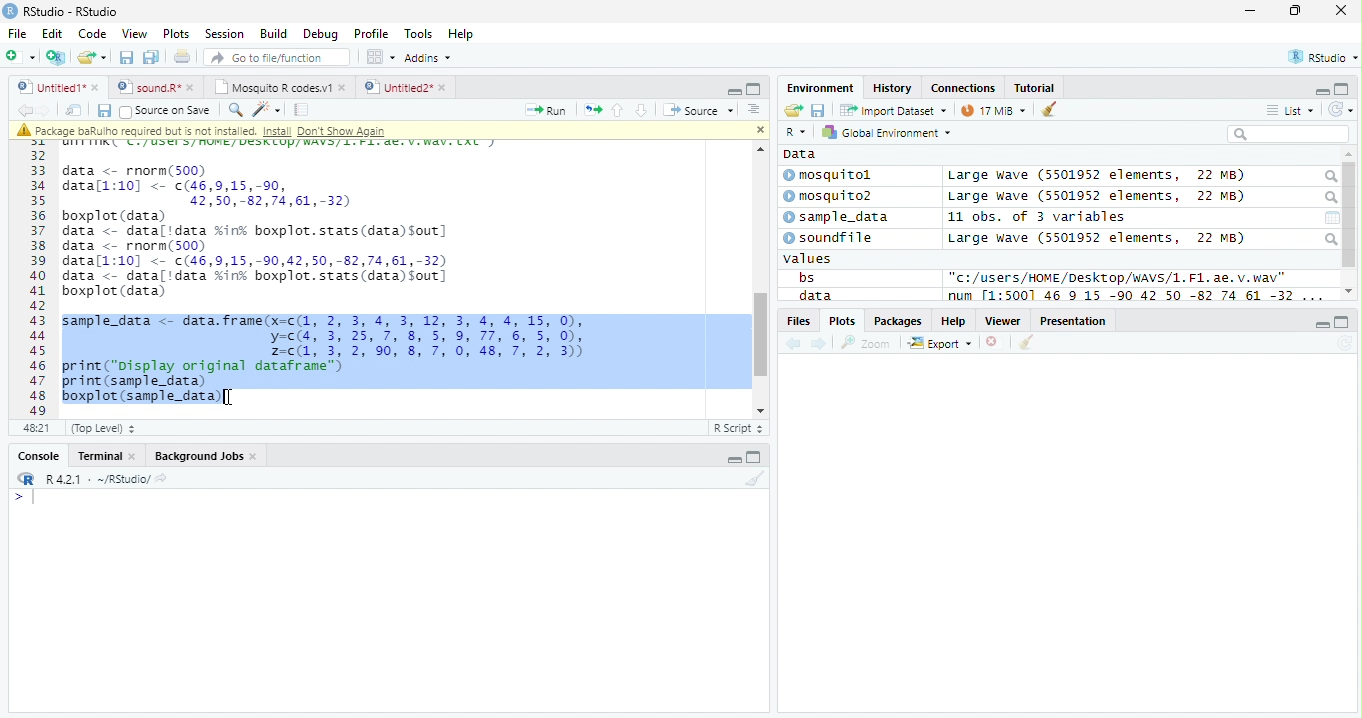 Image resolution: width=1362 pixels, height=718 pixels. Describe the element at coordinates (759, 335) in the screenshot. I see `scroll bar` at that location.